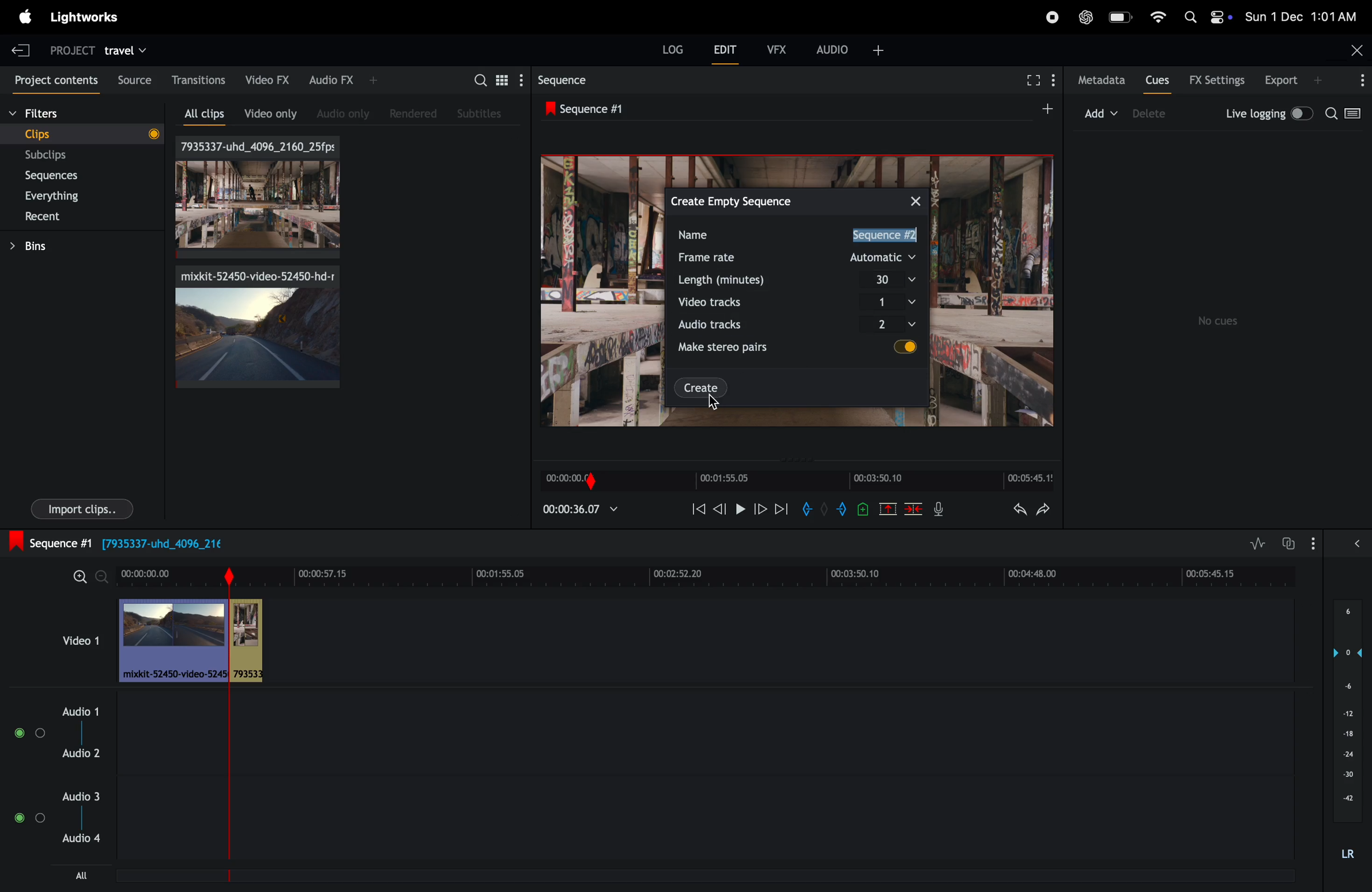  I want to click on close, so click(917, 199).